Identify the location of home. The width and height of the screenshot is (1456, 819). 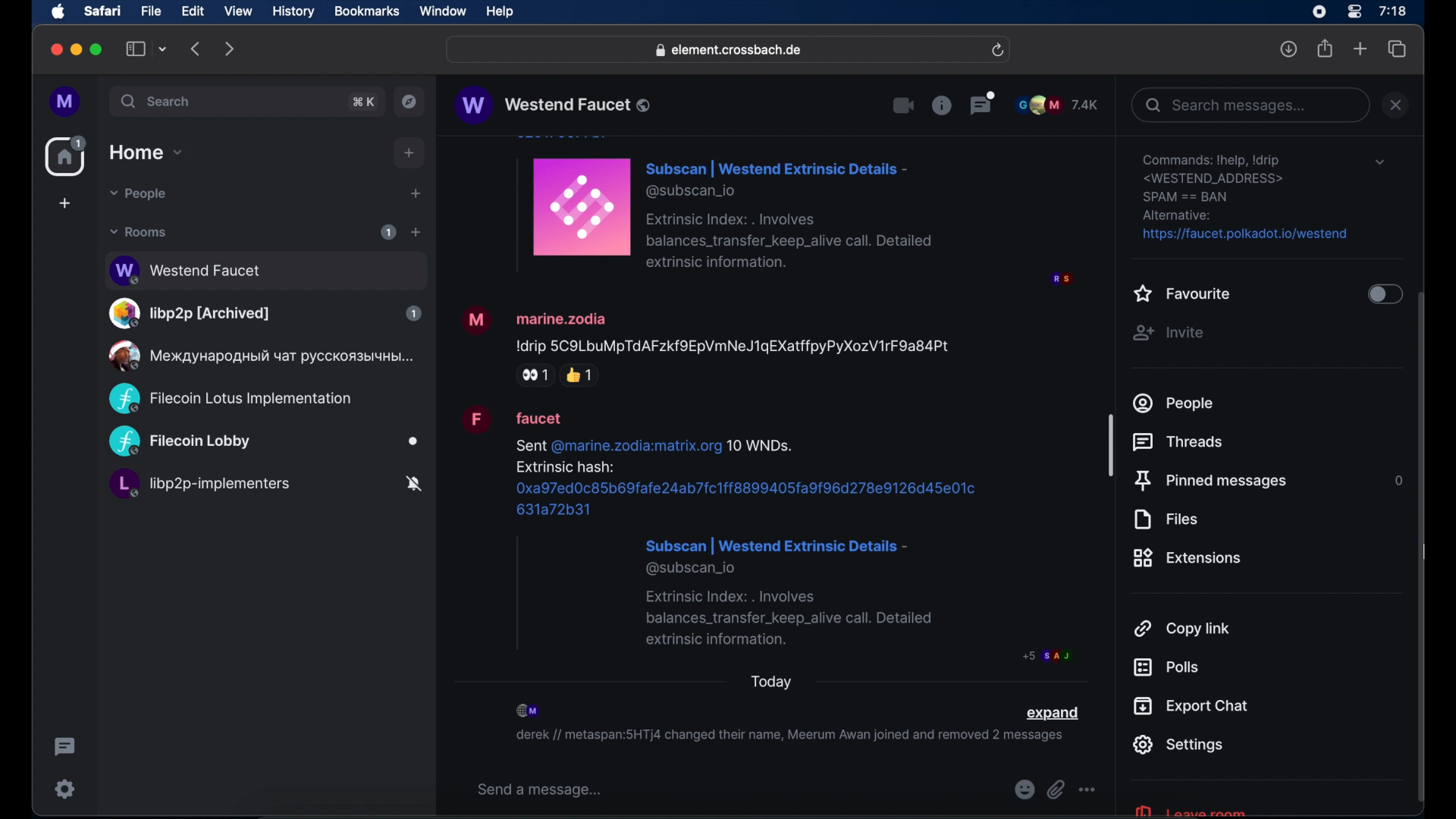
(67, 156).